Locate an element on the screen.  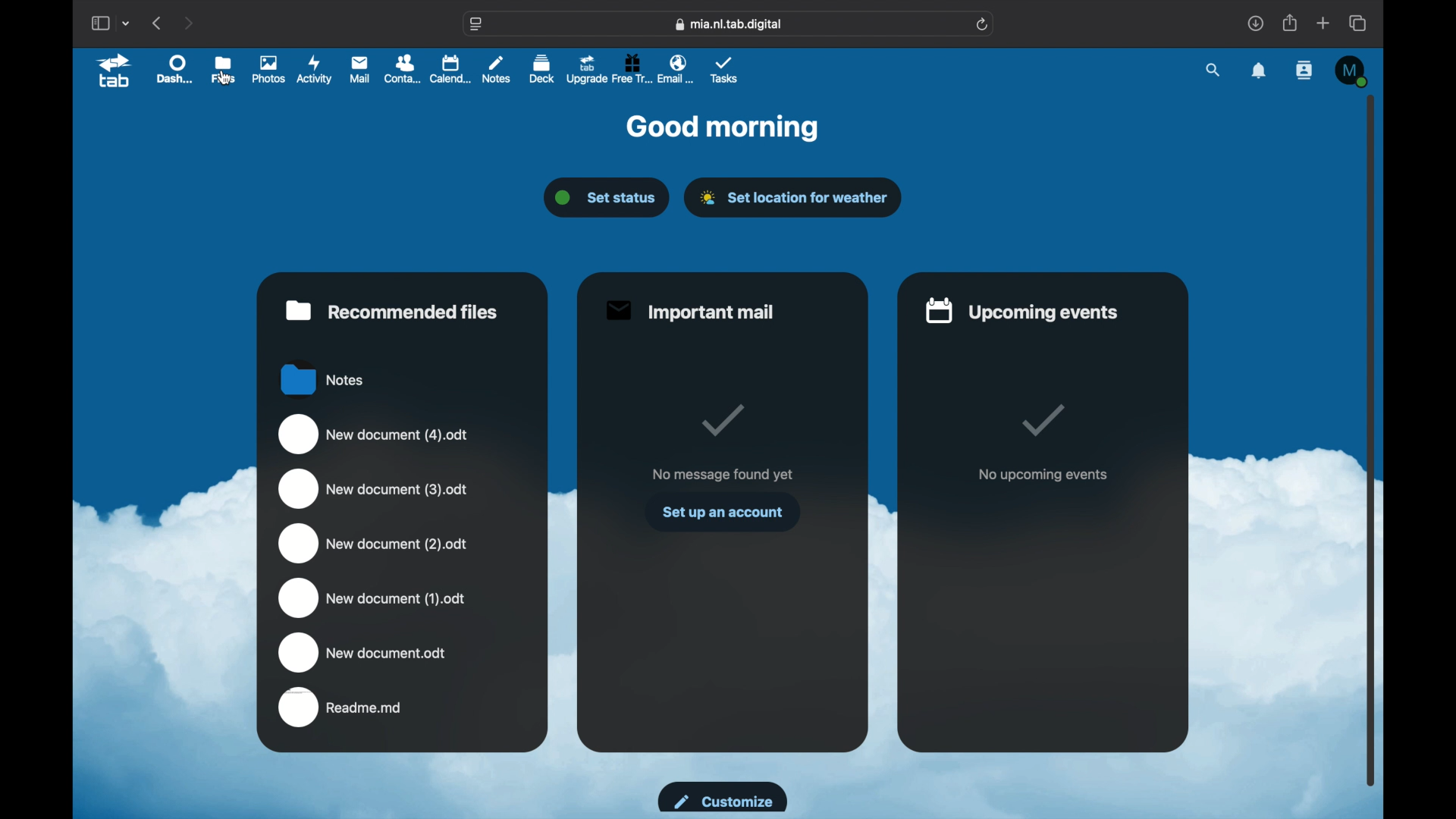
show tab overview is located at coordinates (1359, 24).